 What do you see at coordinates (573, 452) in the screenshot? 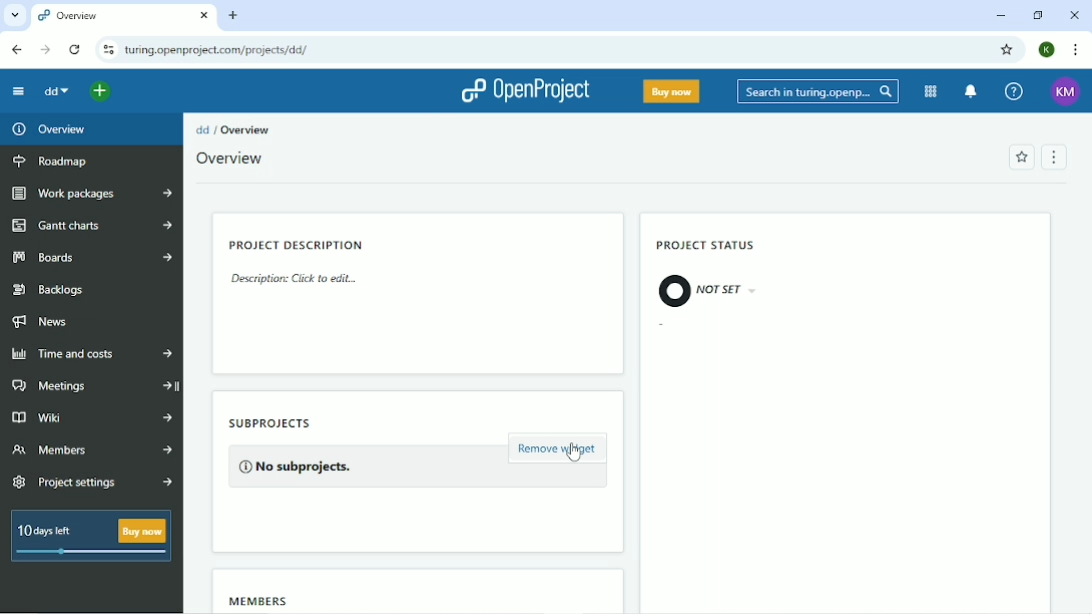
I see `Cursor` at bounding box center [573, 452].